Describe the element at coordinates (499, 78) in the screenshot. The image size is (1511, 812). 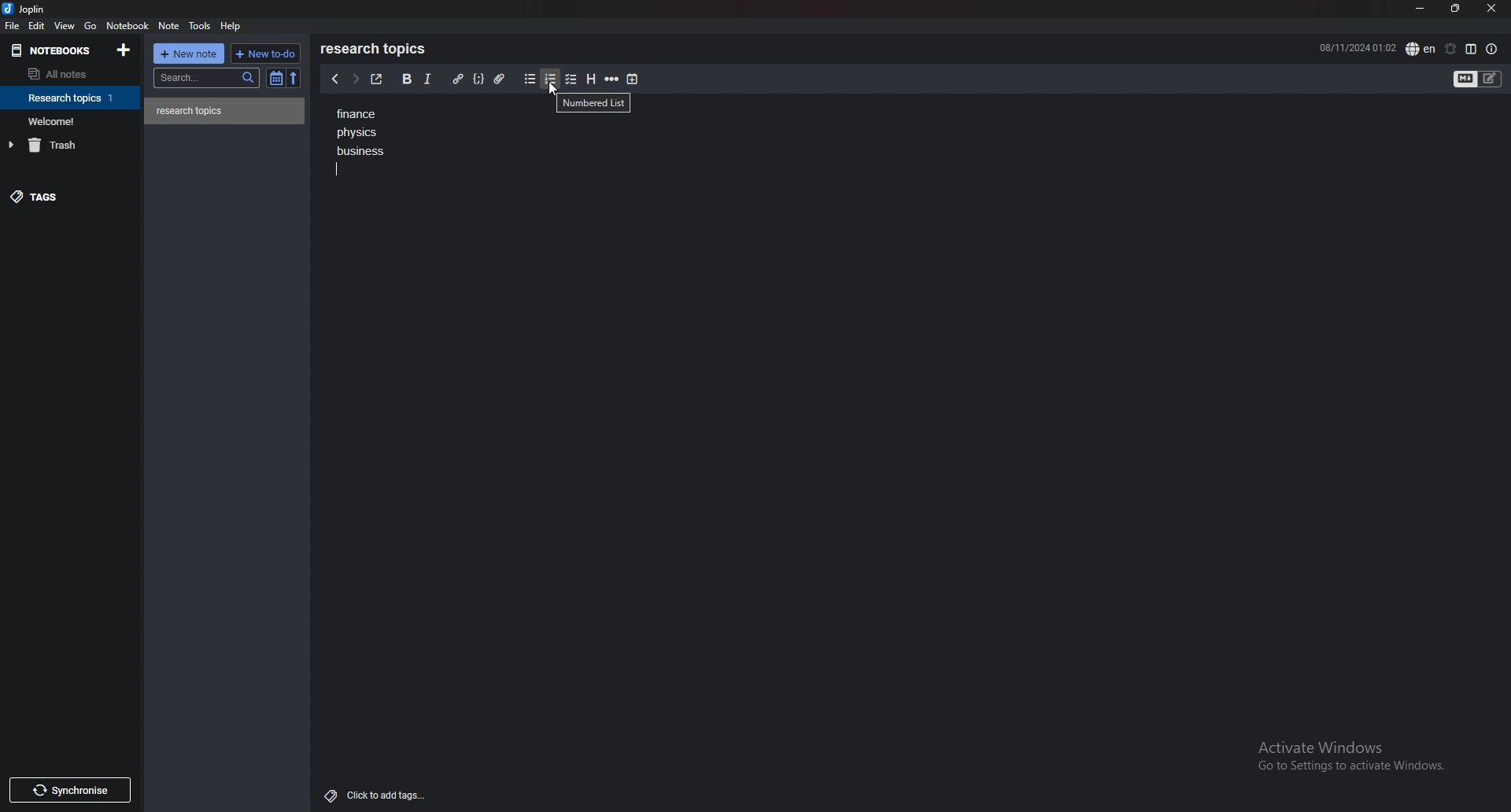
I see `attachment` at that location.